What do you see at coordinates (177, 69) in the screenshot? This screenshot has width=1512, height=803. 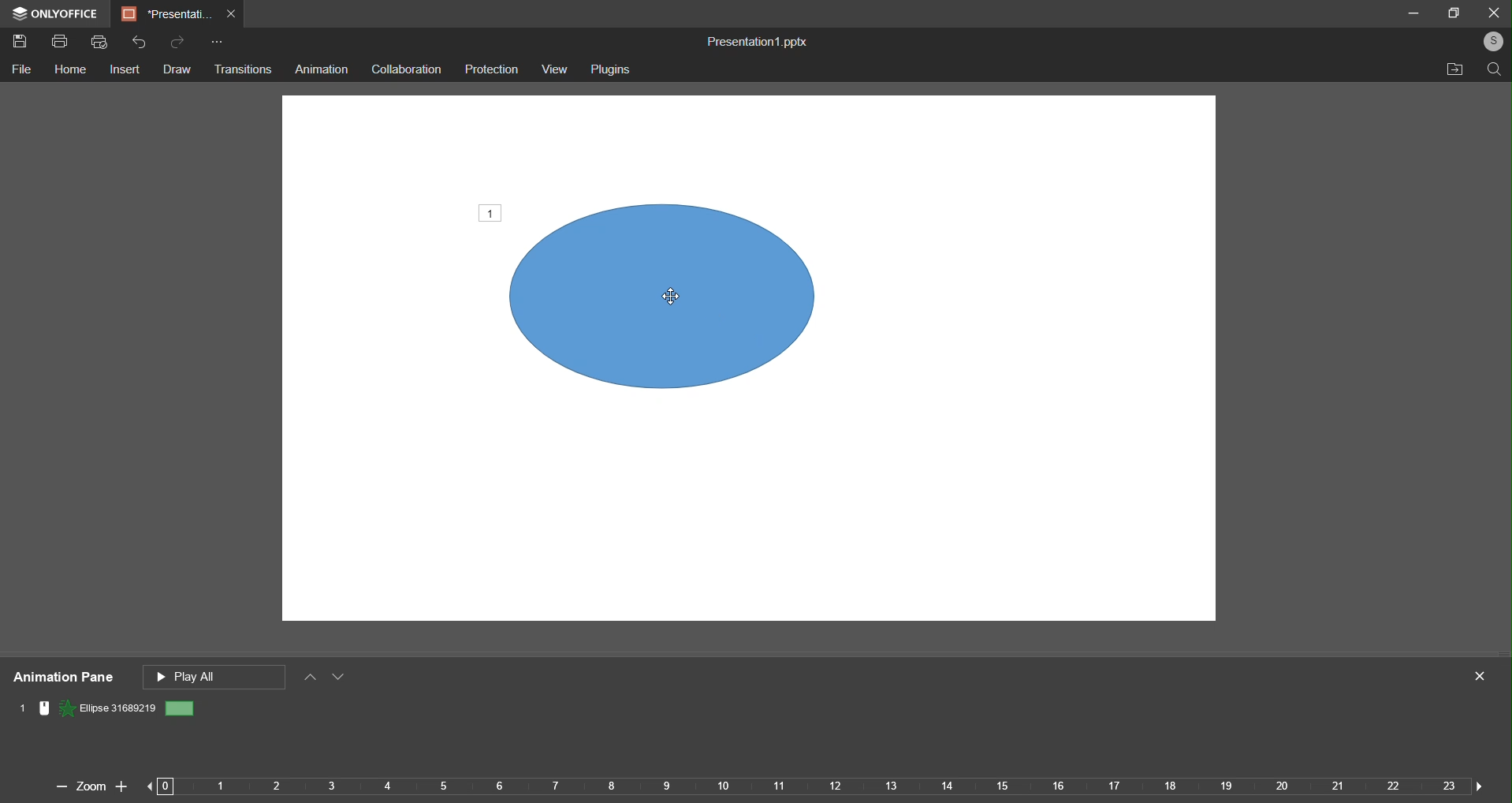 I see `draw` at bounding box center [177, 69].